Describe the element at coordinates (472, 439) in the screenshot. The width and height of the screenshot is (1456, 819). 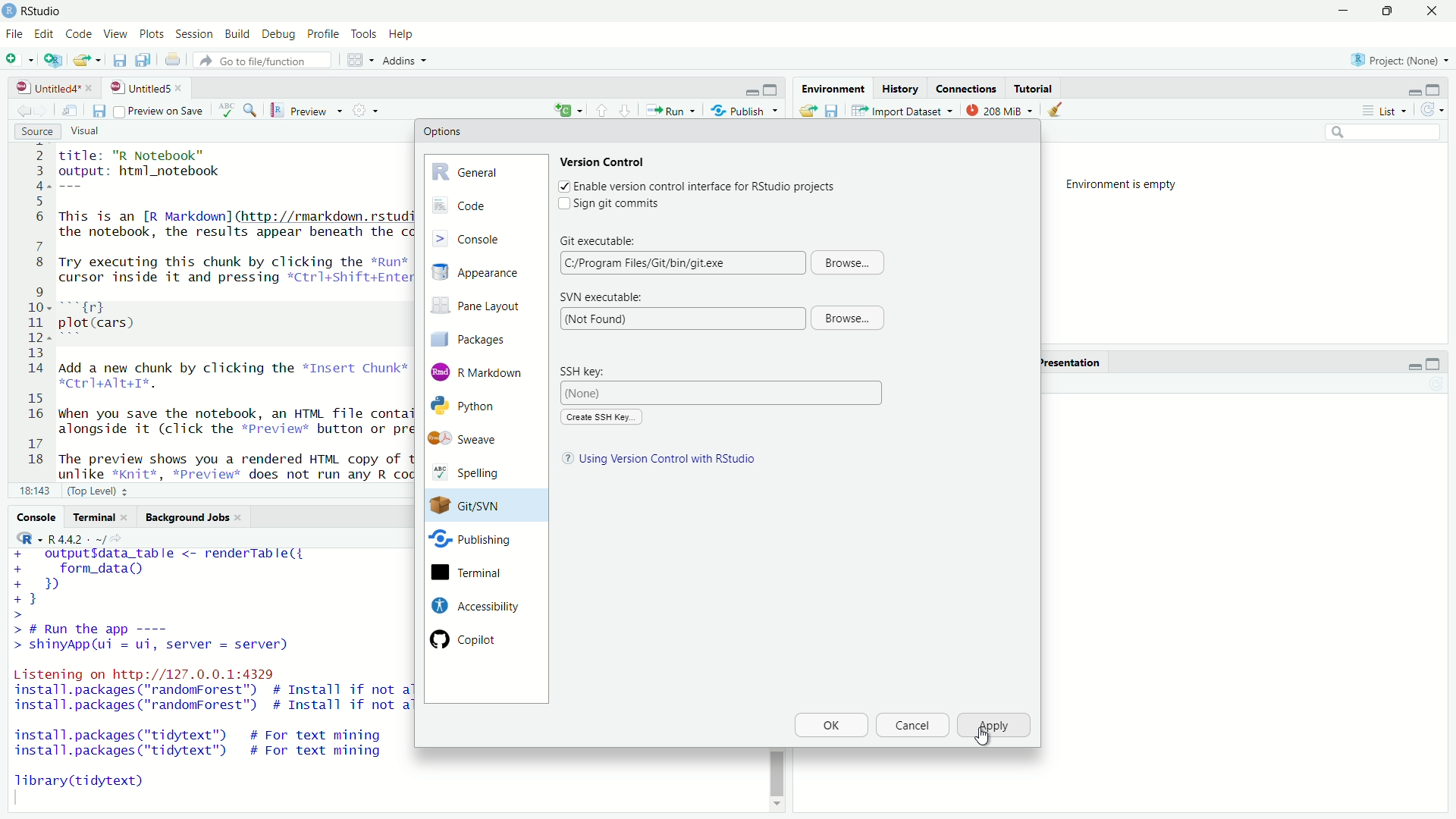
I see `Sweave` at that location.